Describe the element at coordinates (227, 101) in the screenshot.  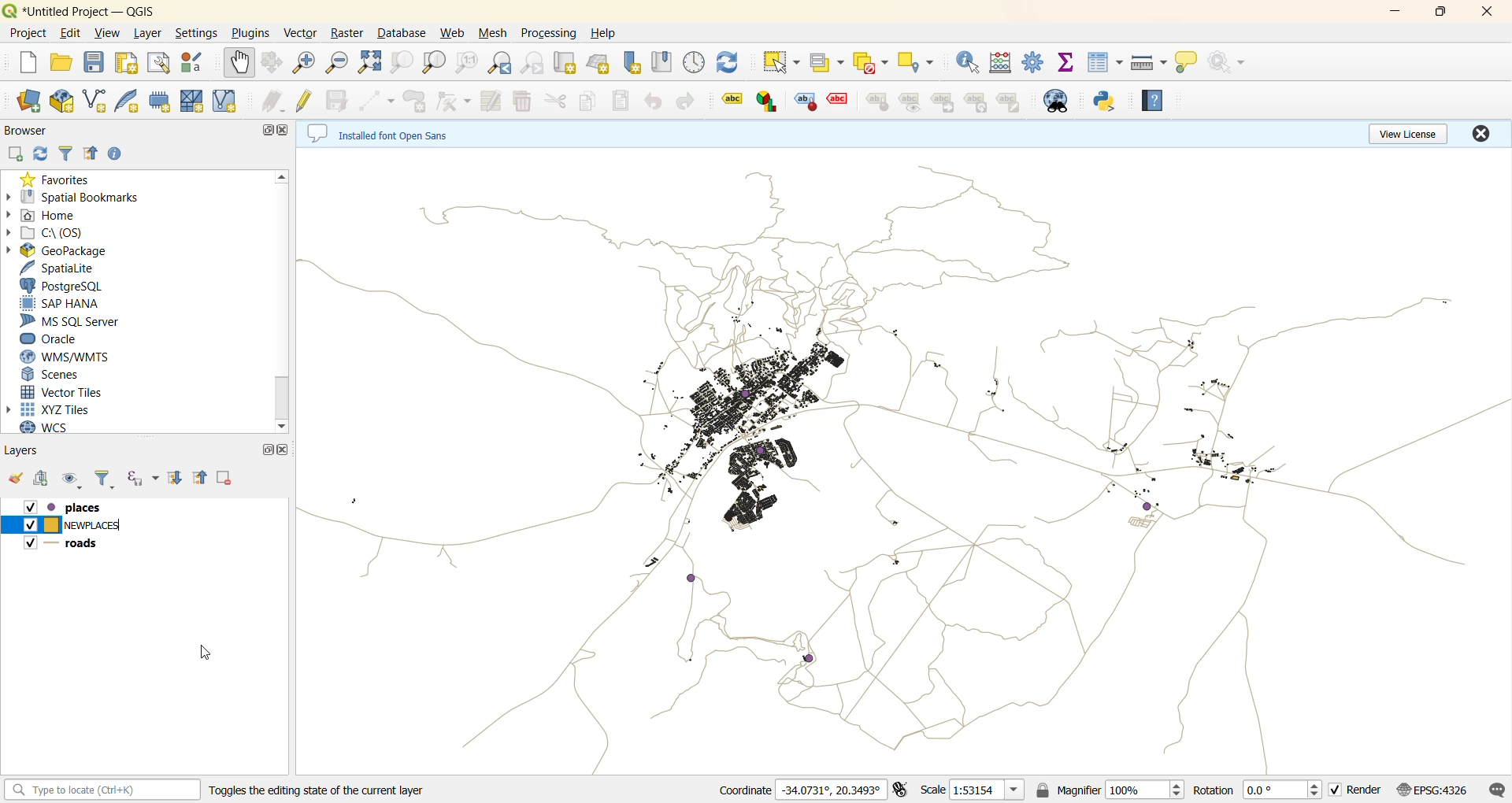
I see `new virtual layer` at that location.